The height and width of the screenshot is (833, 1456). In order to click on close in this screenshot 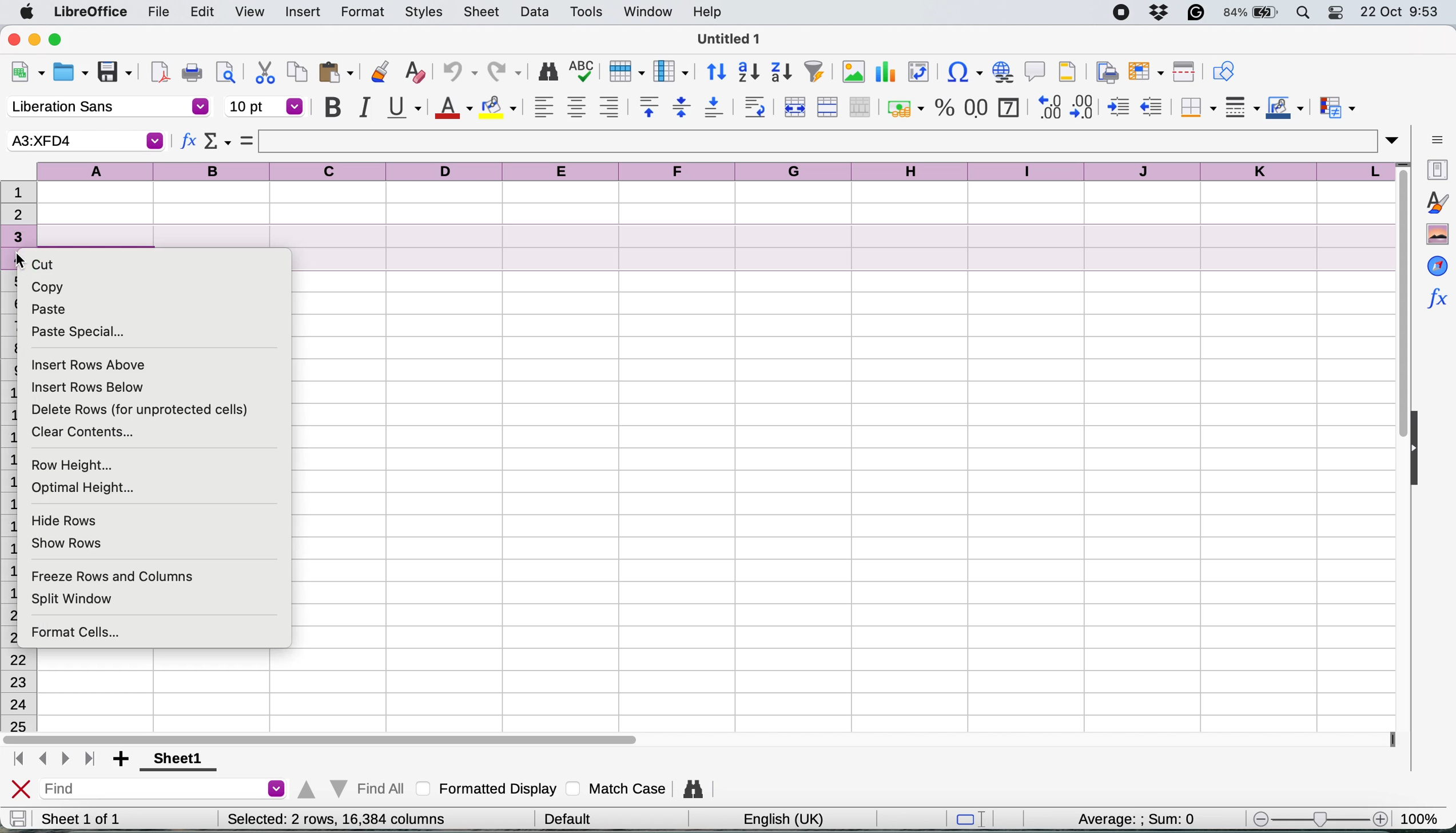, I will do `click(14, 38)`.